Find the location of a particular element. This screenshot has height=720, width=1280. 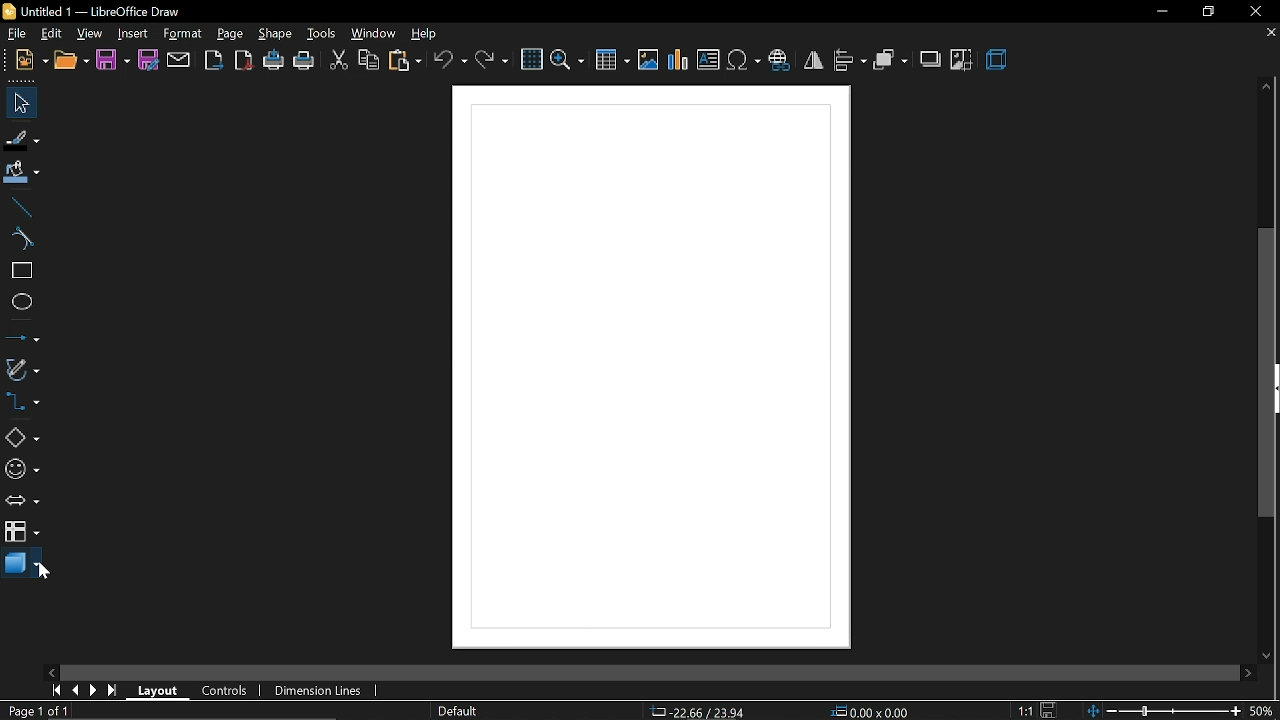

undo is located at coordinates (450, 59).